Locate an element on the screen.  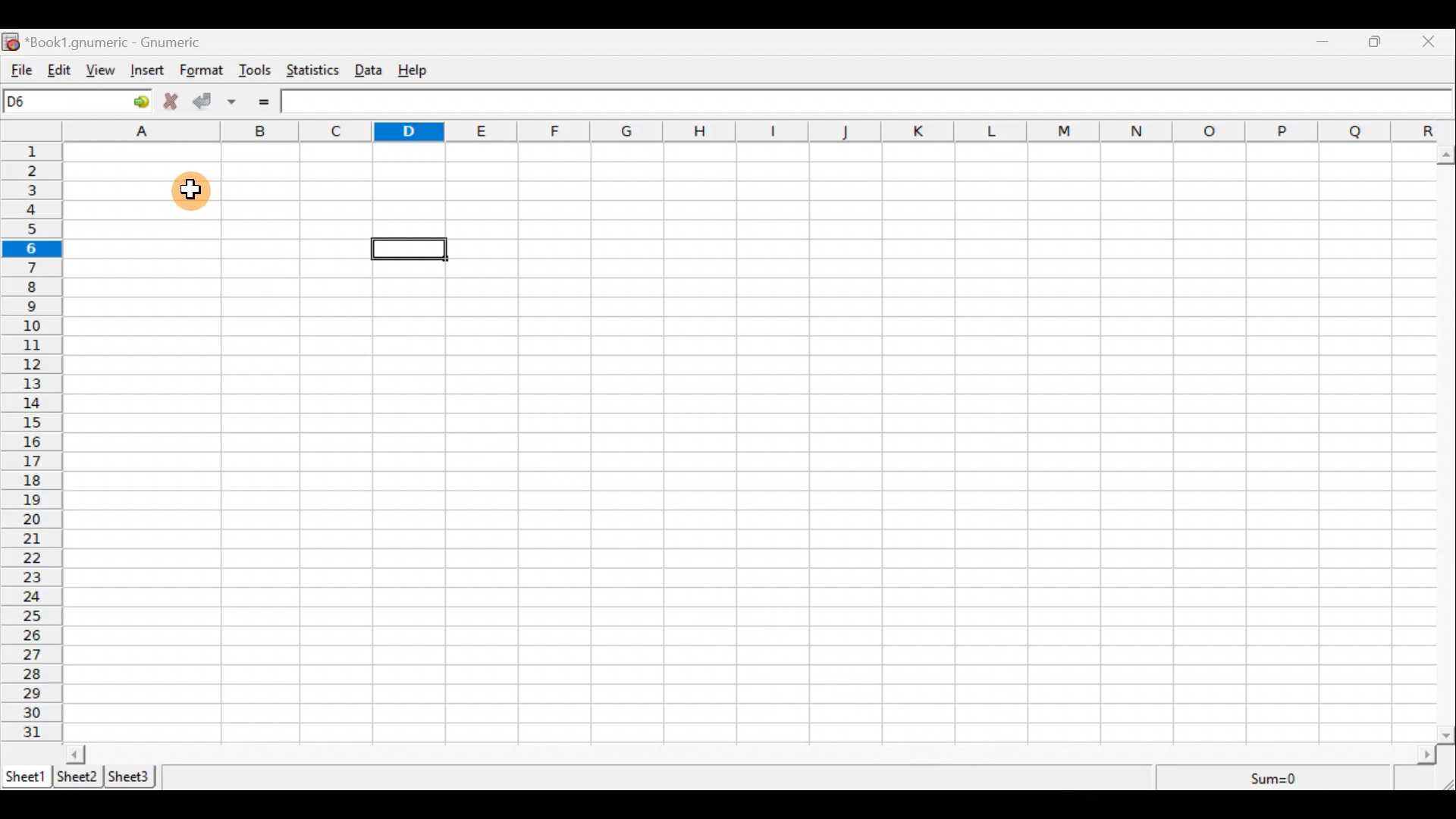
Enter formula is located at coordinates (269, 102).